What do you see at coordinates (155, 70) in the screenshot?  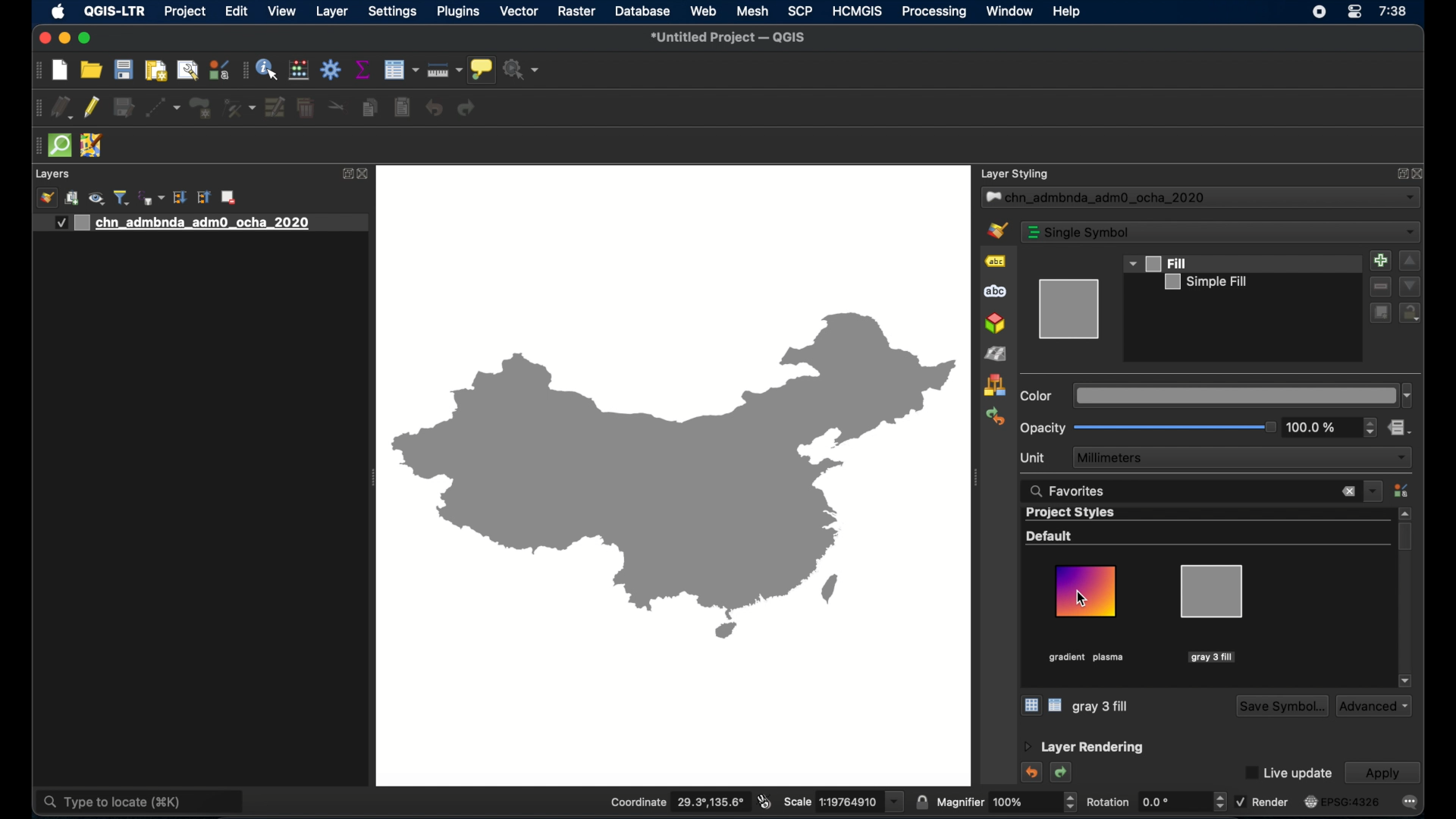 I see `print layout` at bounding box center [155, 70].